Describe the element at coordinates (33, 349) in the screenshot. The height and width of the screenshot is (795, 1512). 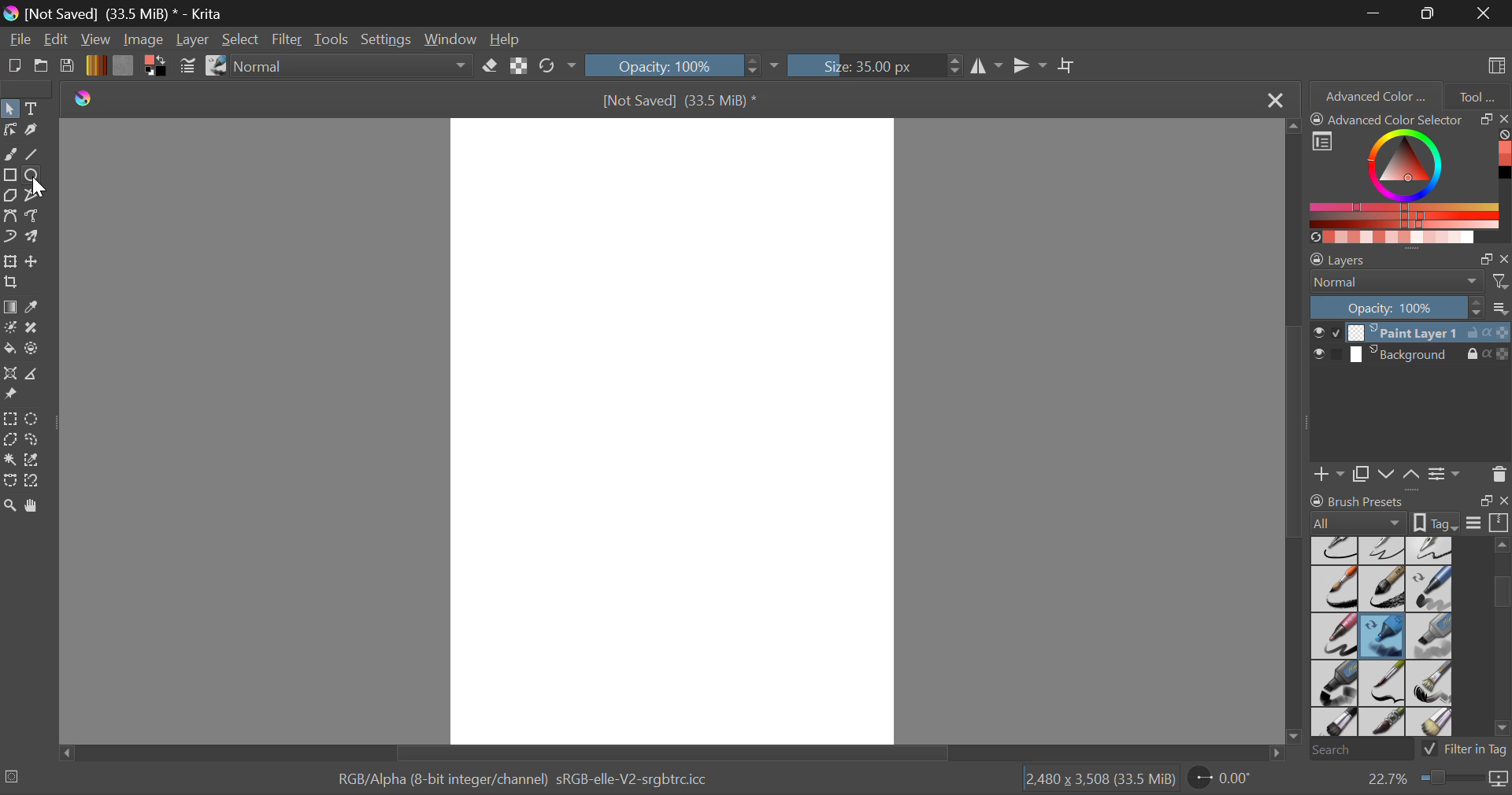
I see `Enclose and Fill Tool` at that location.